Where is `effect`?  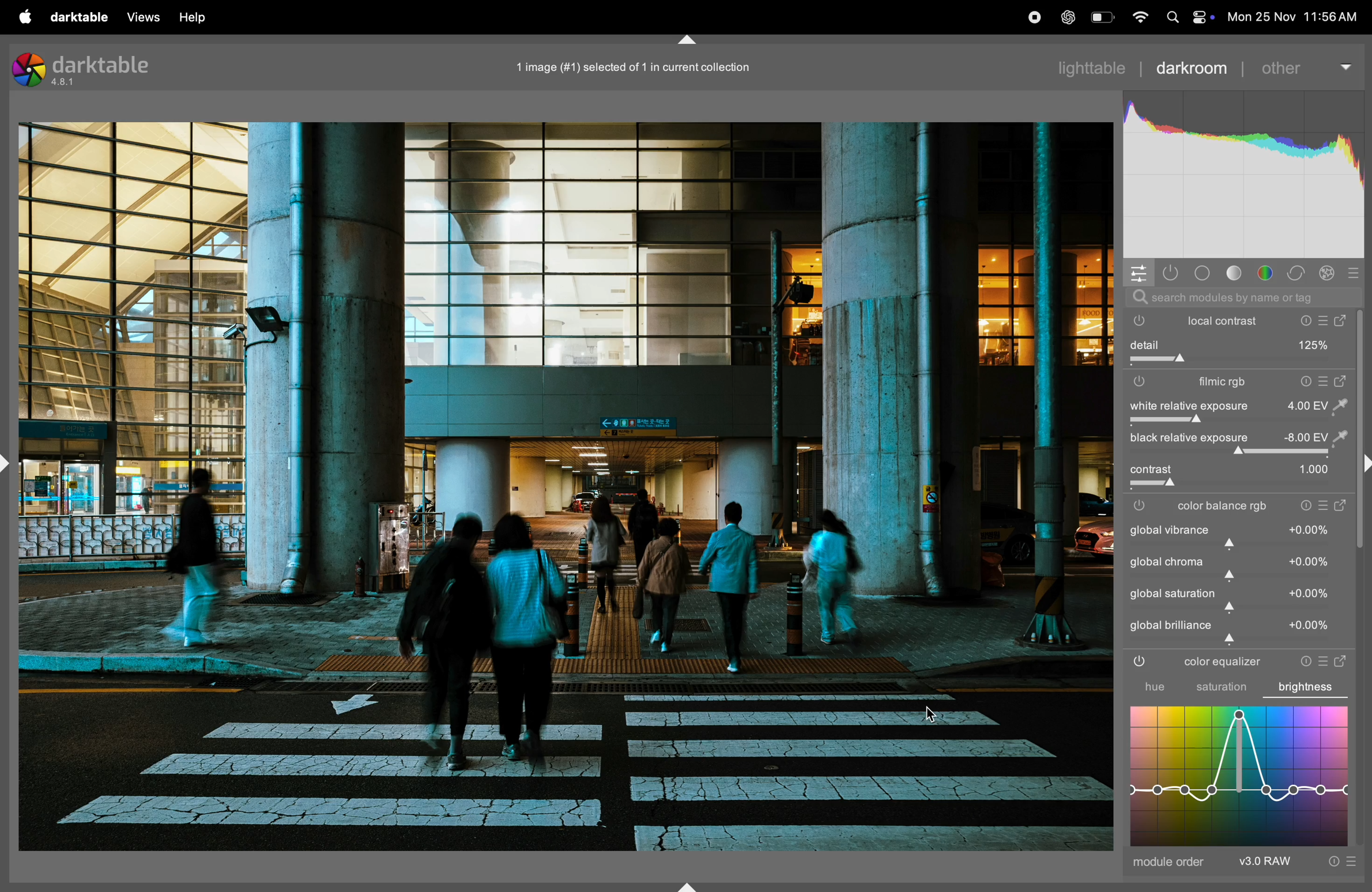
effect is located at coordinates (1327, 272).